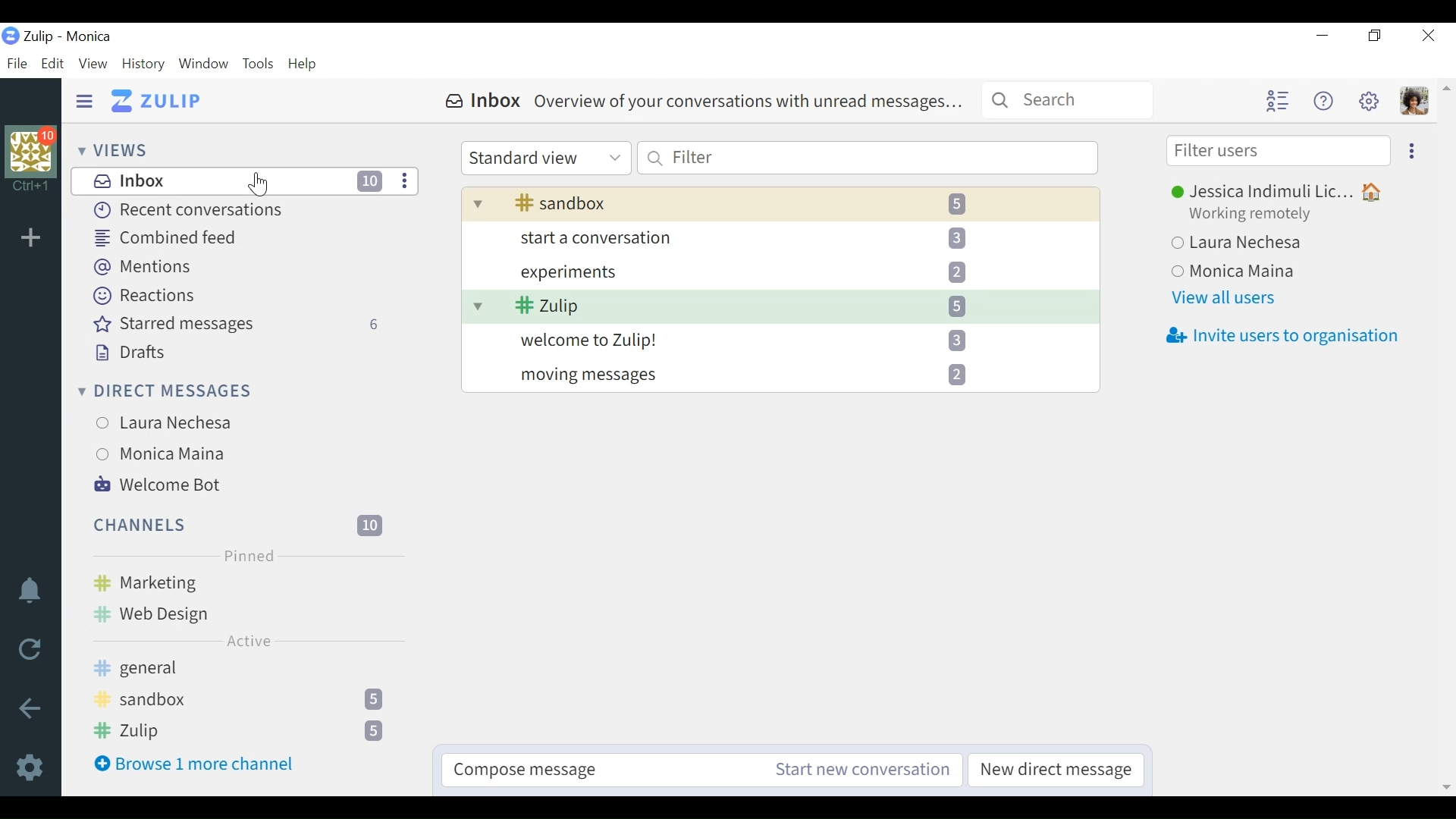  What do you see at coordinates (1055, 771) in the screenshot?
I see `New Direct messages` at bounding box center [1055, 771].